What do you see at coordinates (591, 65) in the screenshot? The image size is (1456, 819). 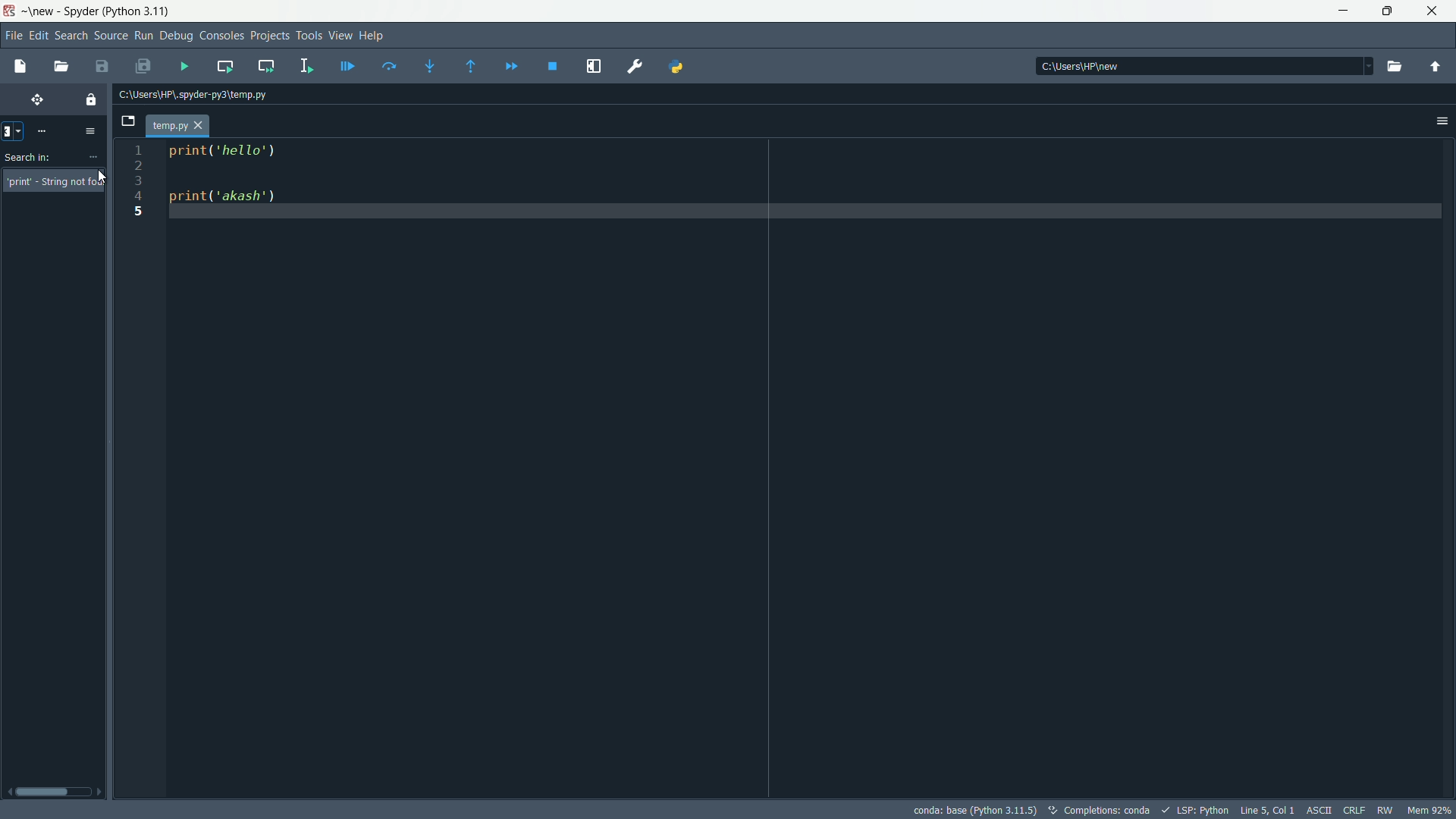 I see `maximize current pain` at bounding box center [591, 65].